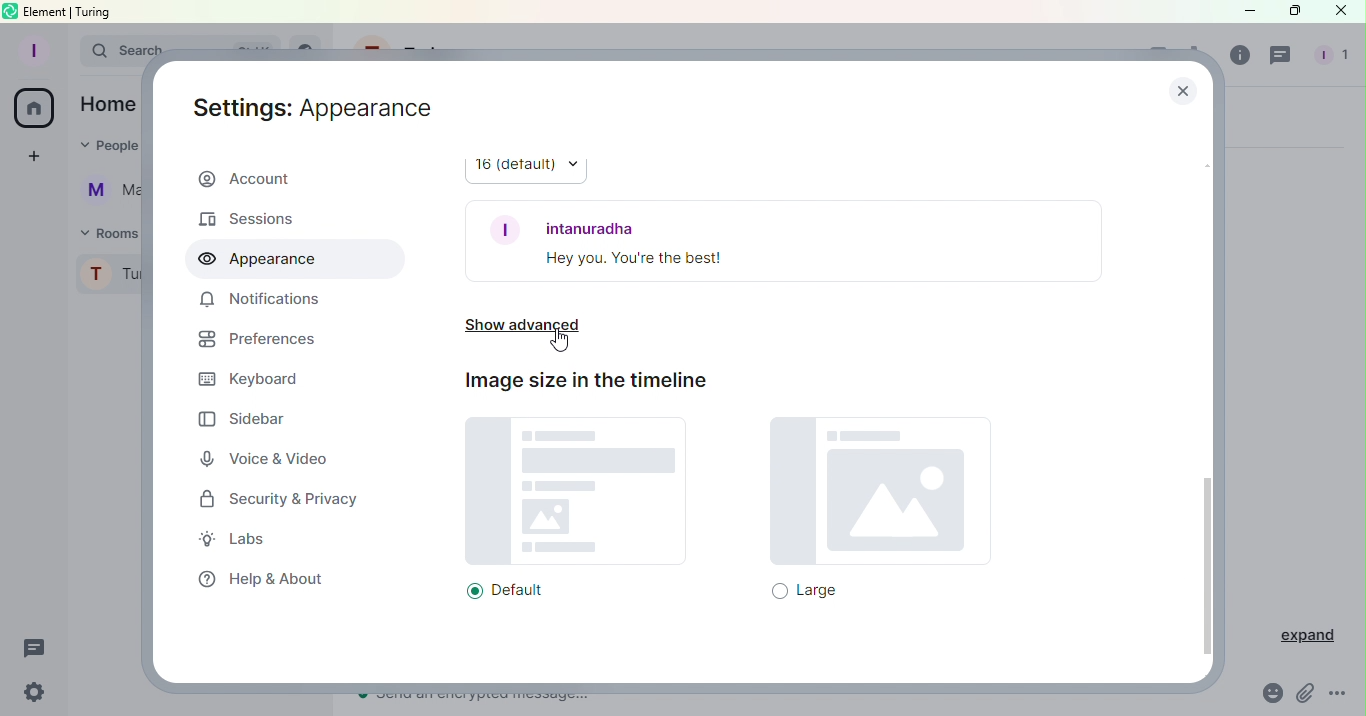 The width and height of the screenshot is (1366, 716). I want to click on Home, so click(108, 107).